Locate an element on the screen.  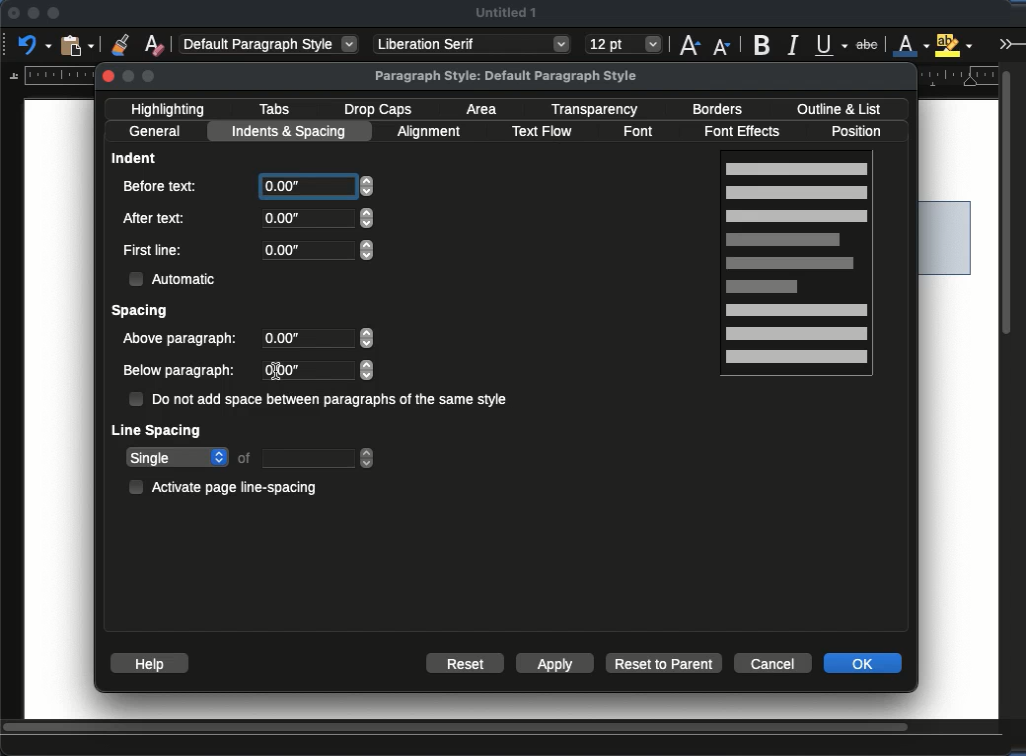
automatic is located at coordinates (176, 279).